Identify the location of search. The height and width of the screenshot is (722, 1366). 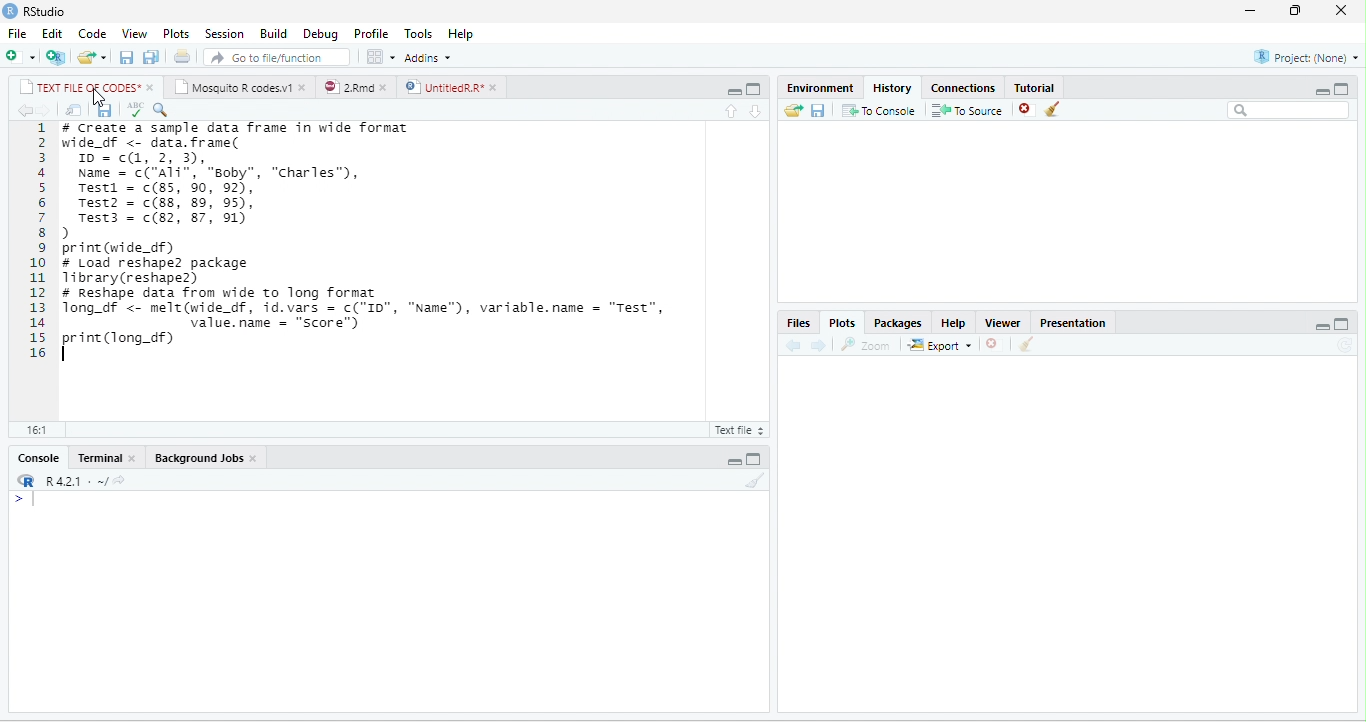
(160, 110).